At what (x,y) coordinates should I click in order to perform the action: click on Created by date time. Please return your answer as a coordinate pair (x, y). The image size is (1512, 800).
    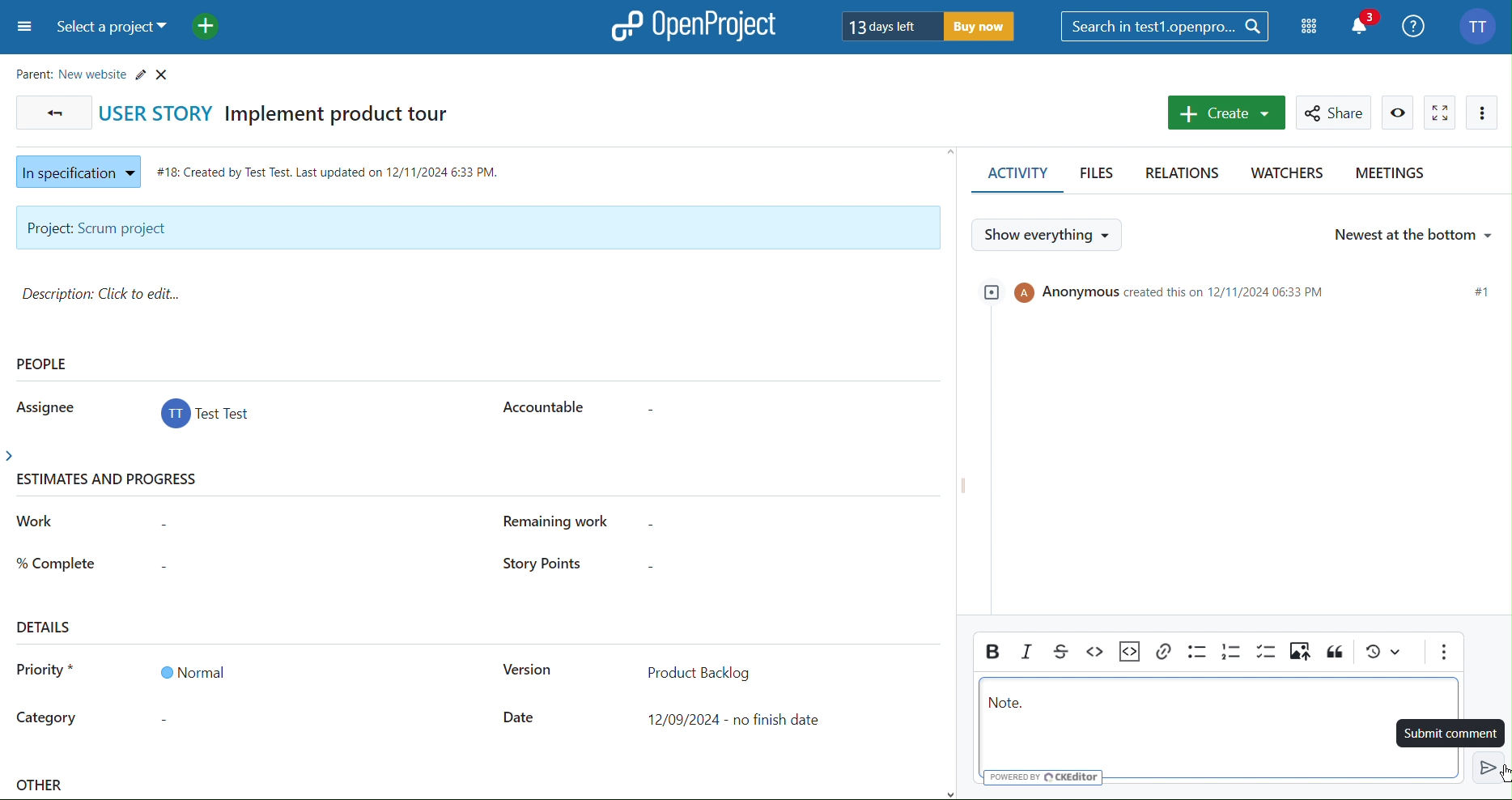
    Looking at the image, I should click on (332, 168).